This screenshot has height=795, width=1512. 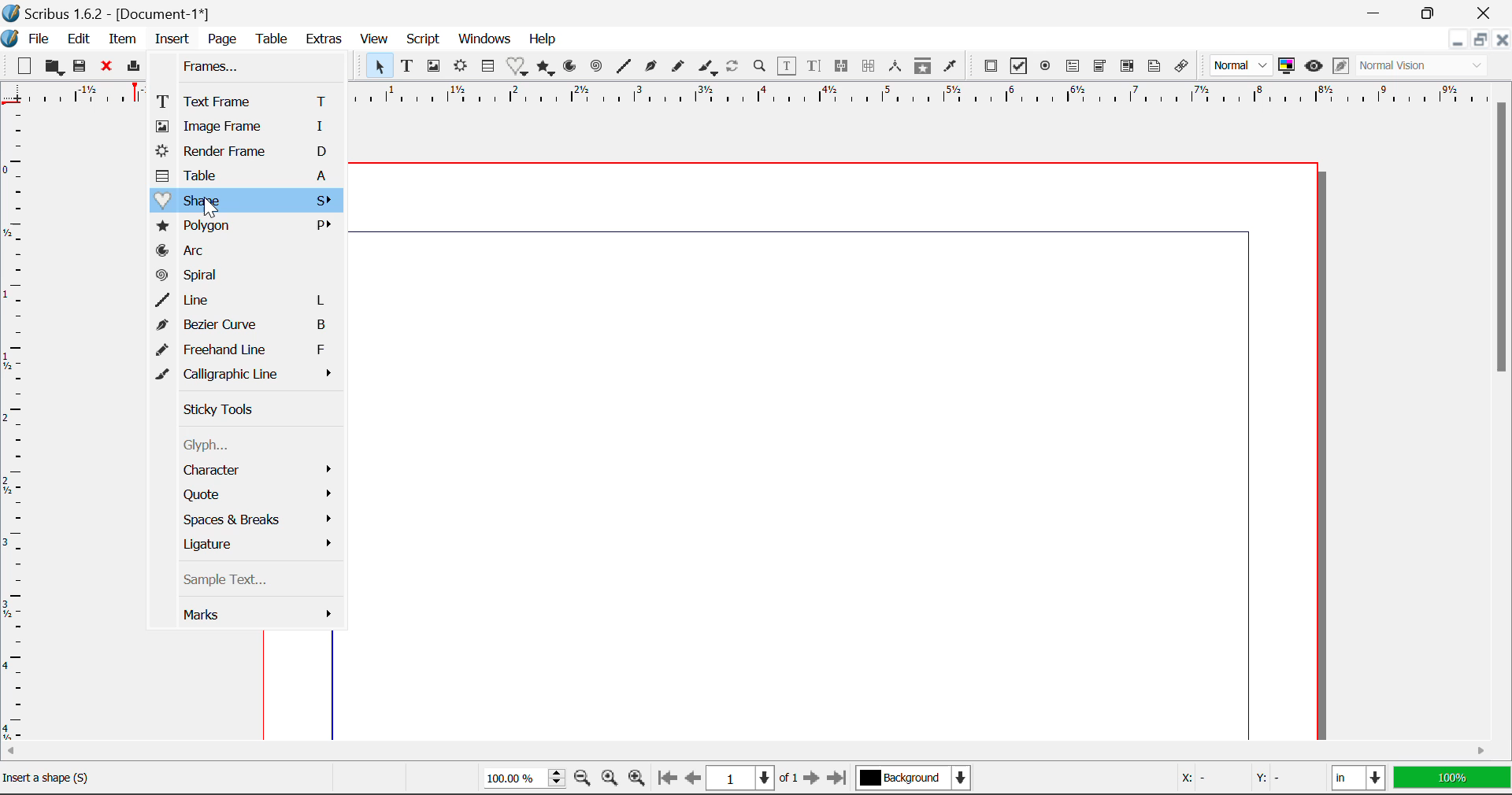 I want to click on Table, so click(x=274, y=39).